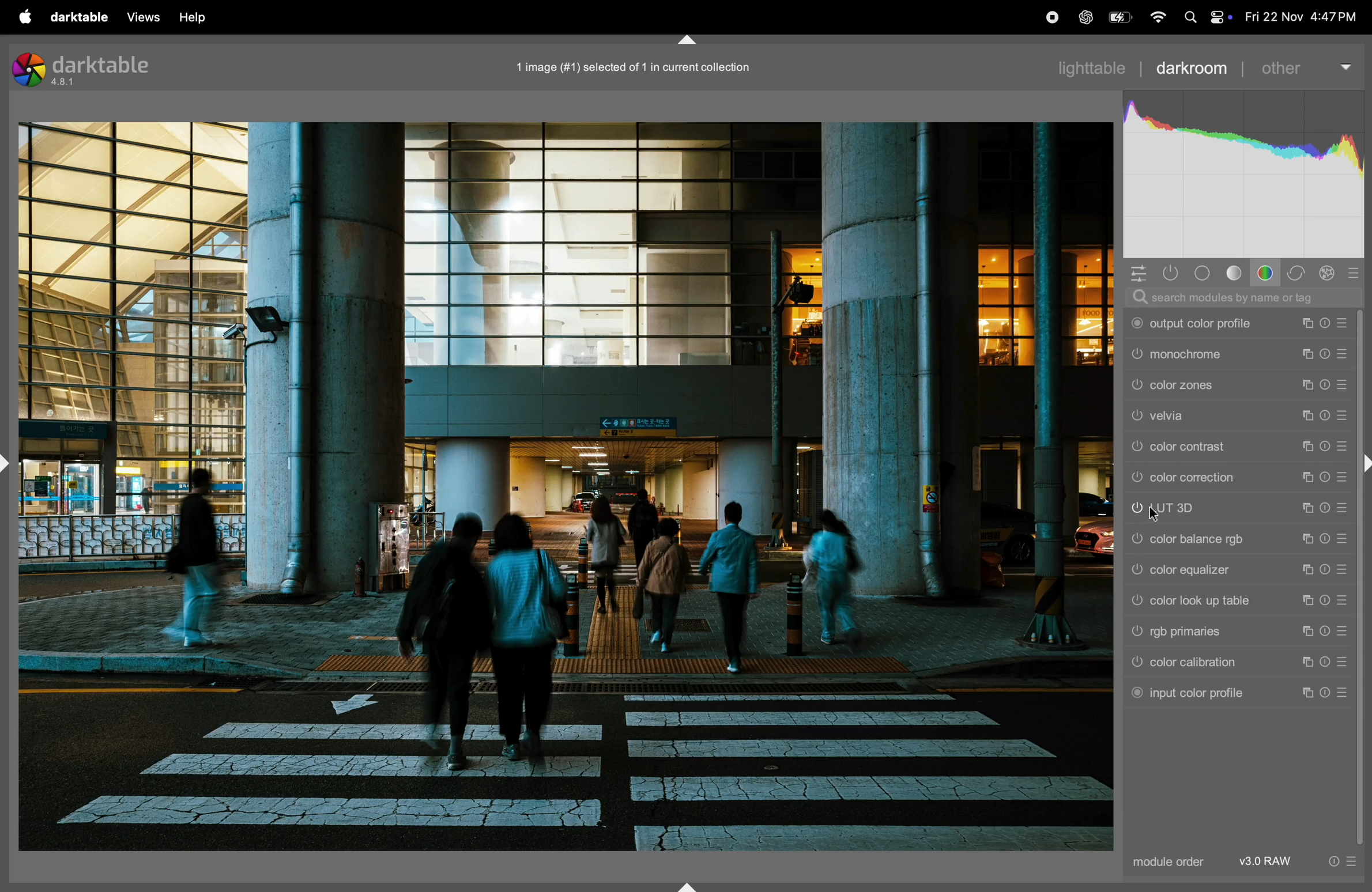 The height and width of the screenshot is (892, 1372). Describe the element at coordinates (685, 39) in the screenshot. I see `shift+ctrl+t` at that location.